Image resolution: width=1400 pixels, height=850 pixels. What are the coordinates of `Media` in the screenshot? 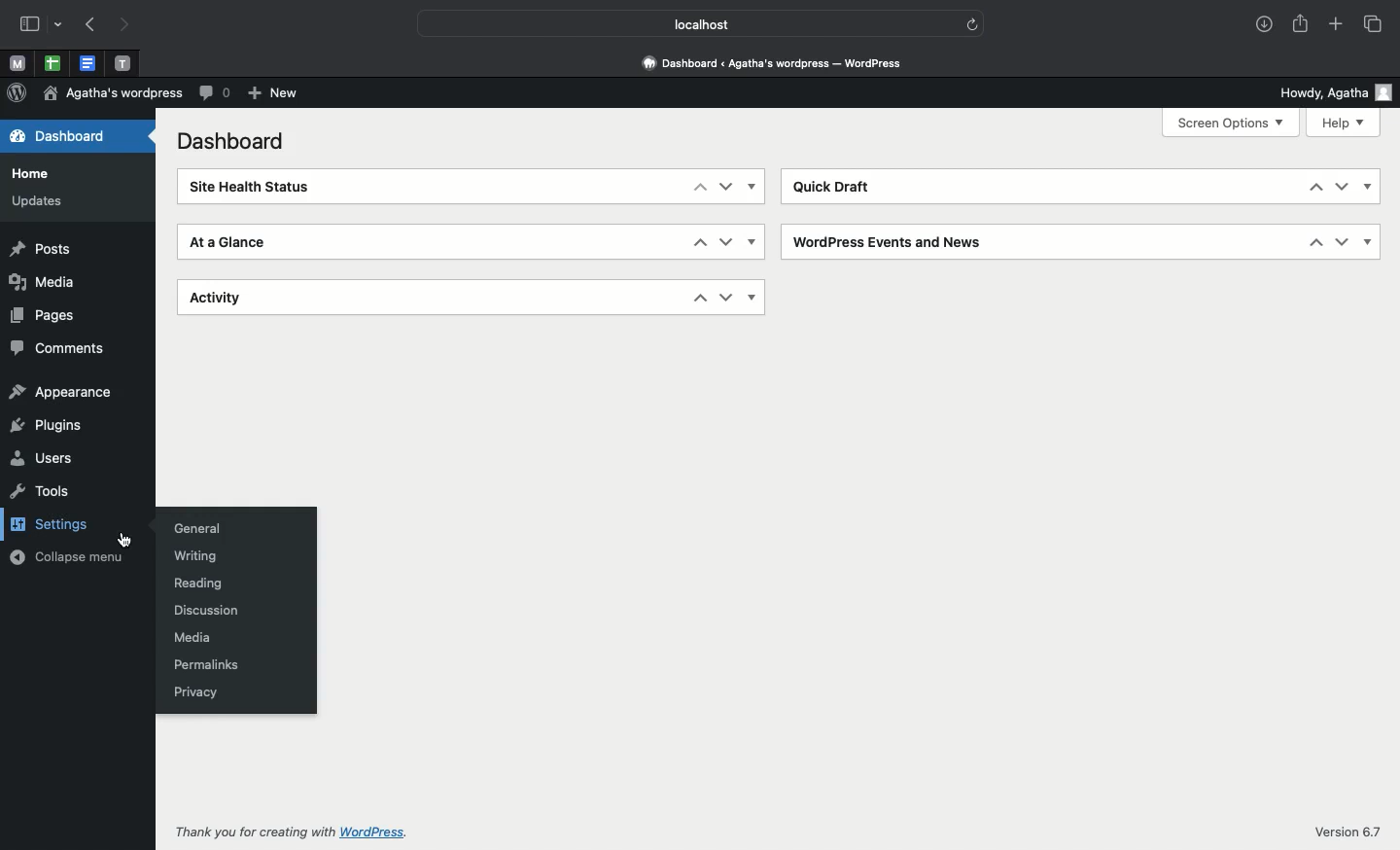 It's located at (43, 282).